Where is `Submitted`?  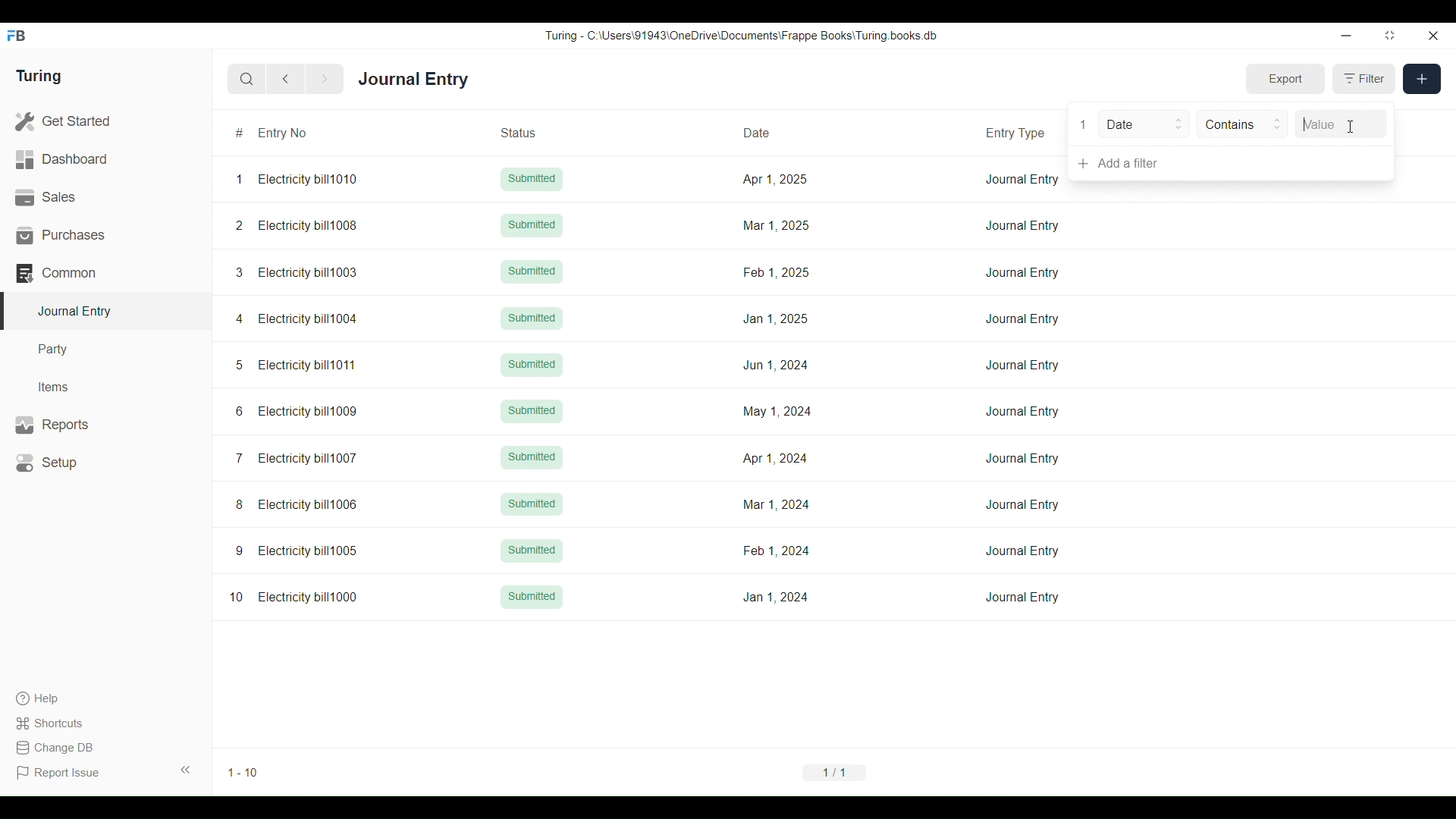
Submitted is located at coordinates (532, 225).